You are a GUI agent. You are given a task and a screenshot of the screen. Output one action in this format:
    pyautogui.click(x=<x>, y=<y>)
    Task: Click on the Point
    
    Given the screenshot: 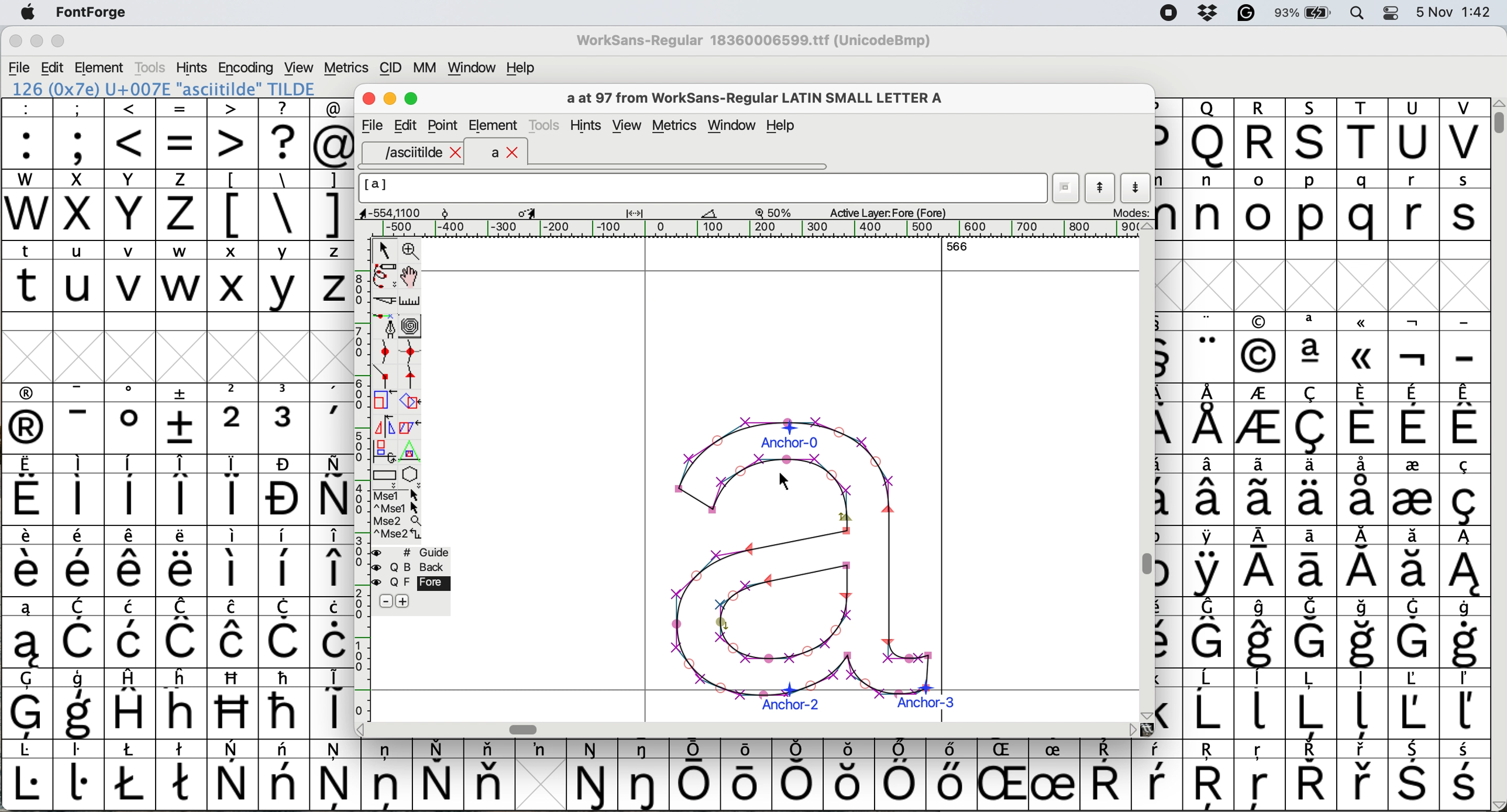 What is the action you would take?
    pyautogui.click(x=444, y=127)
    